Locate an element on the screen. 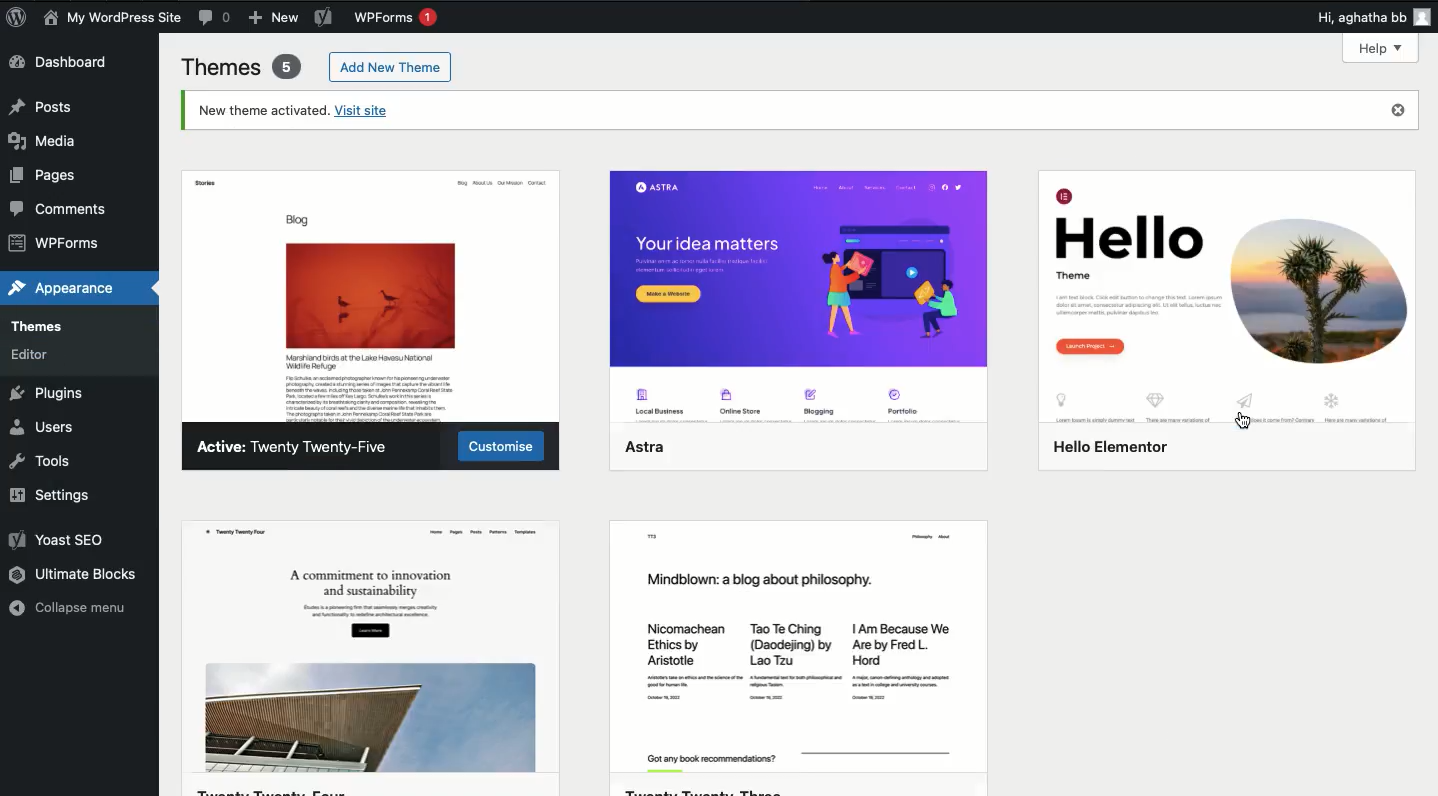 The image size is (1438, 796). Help is located at coordinates (1382, 48).